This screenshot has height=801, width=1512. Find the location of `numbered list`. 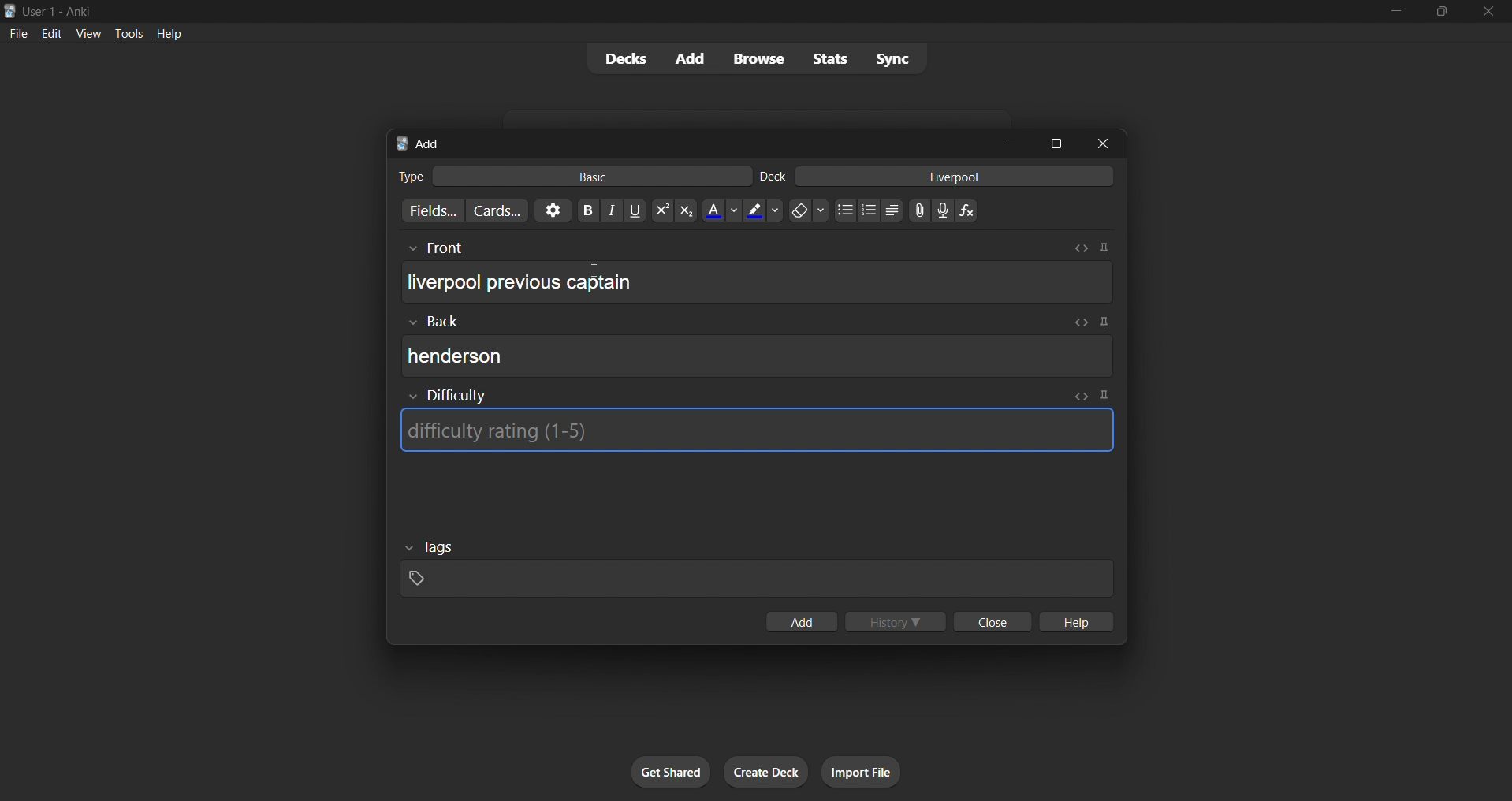

numbered list is located at coordinates (870, 212).